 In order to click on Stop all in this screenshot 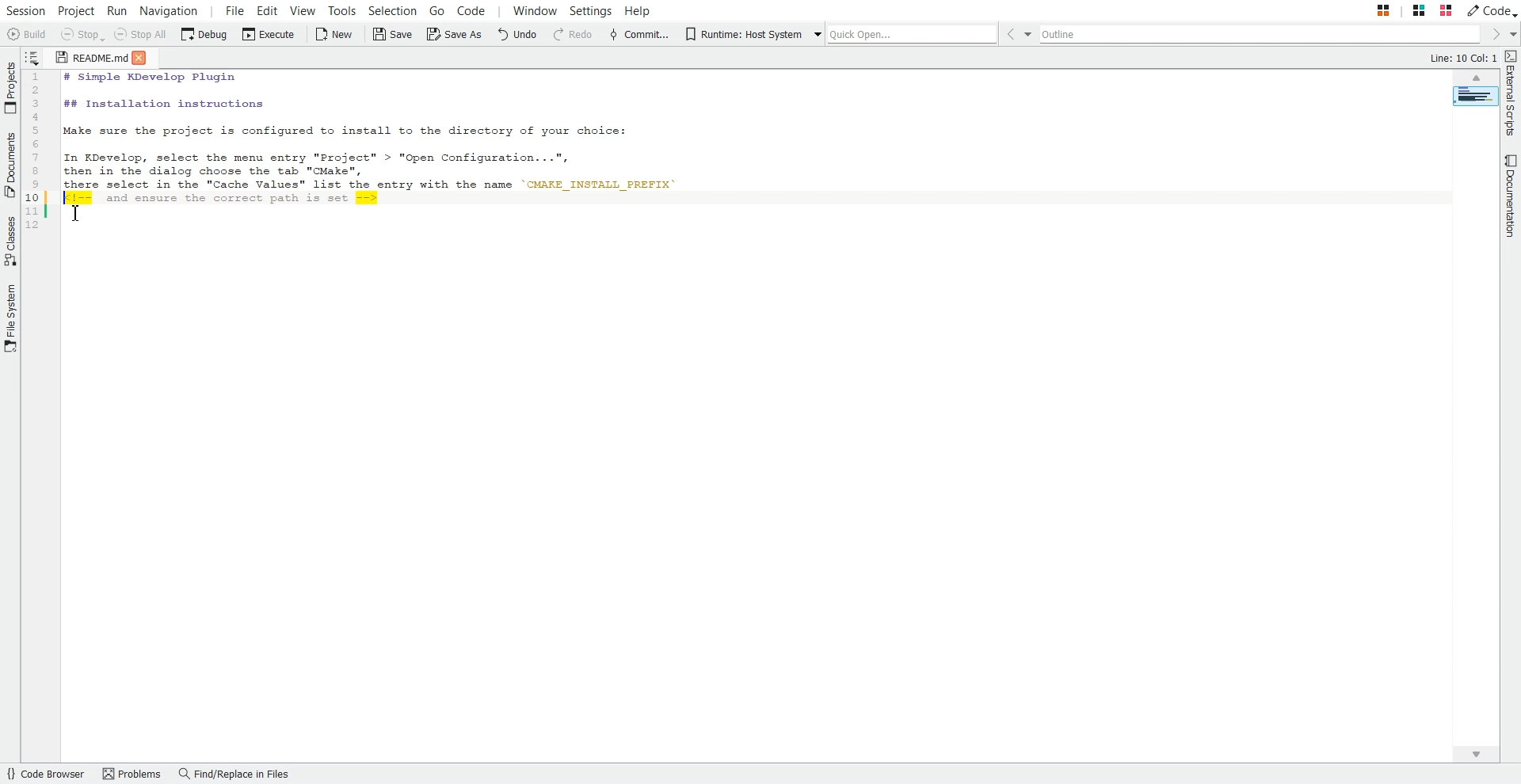, I will do `click(140, 35)`.